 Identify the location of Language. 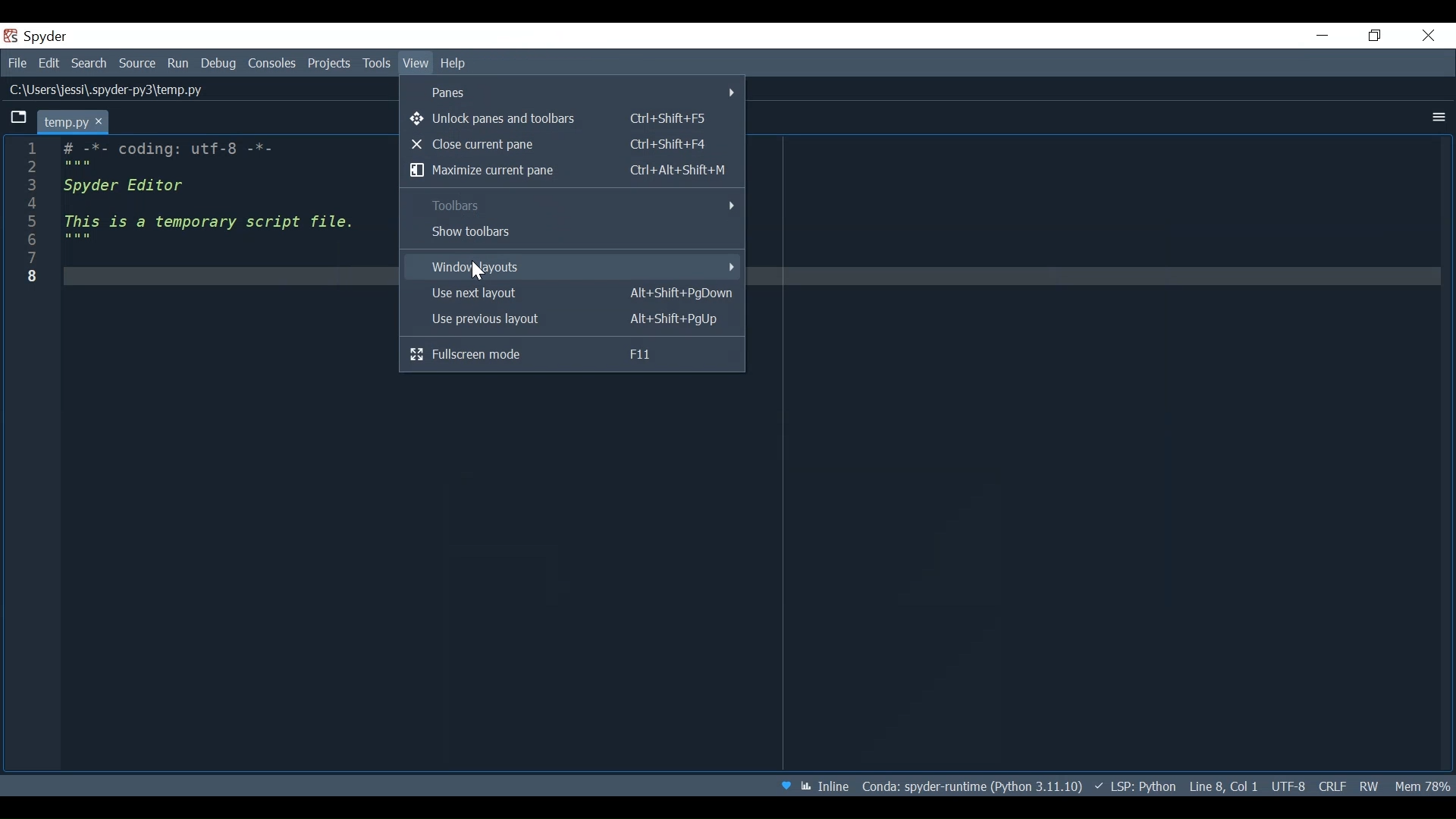
(1134, 786).